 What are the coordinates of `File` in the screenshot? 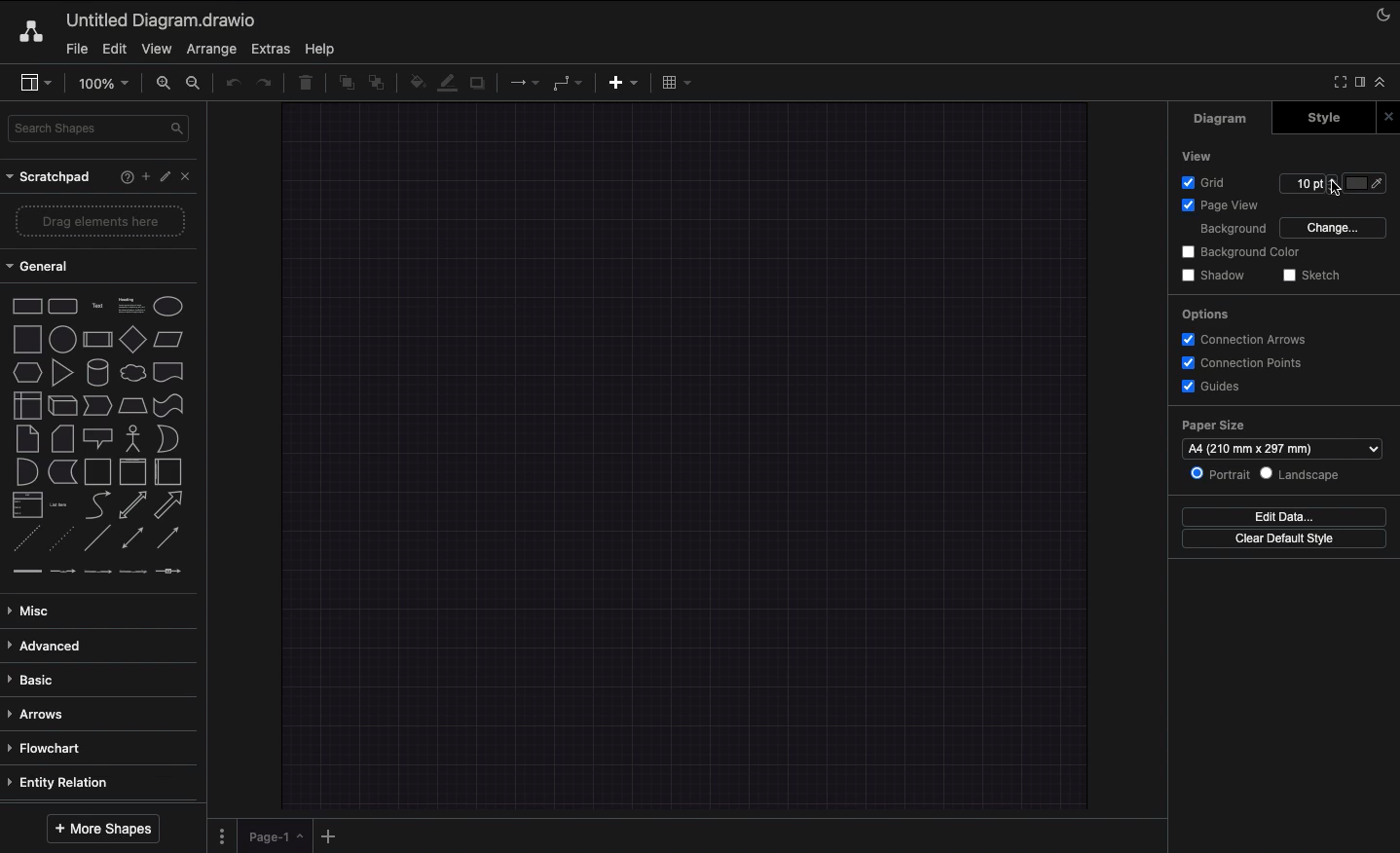 It's located at (78, 49).